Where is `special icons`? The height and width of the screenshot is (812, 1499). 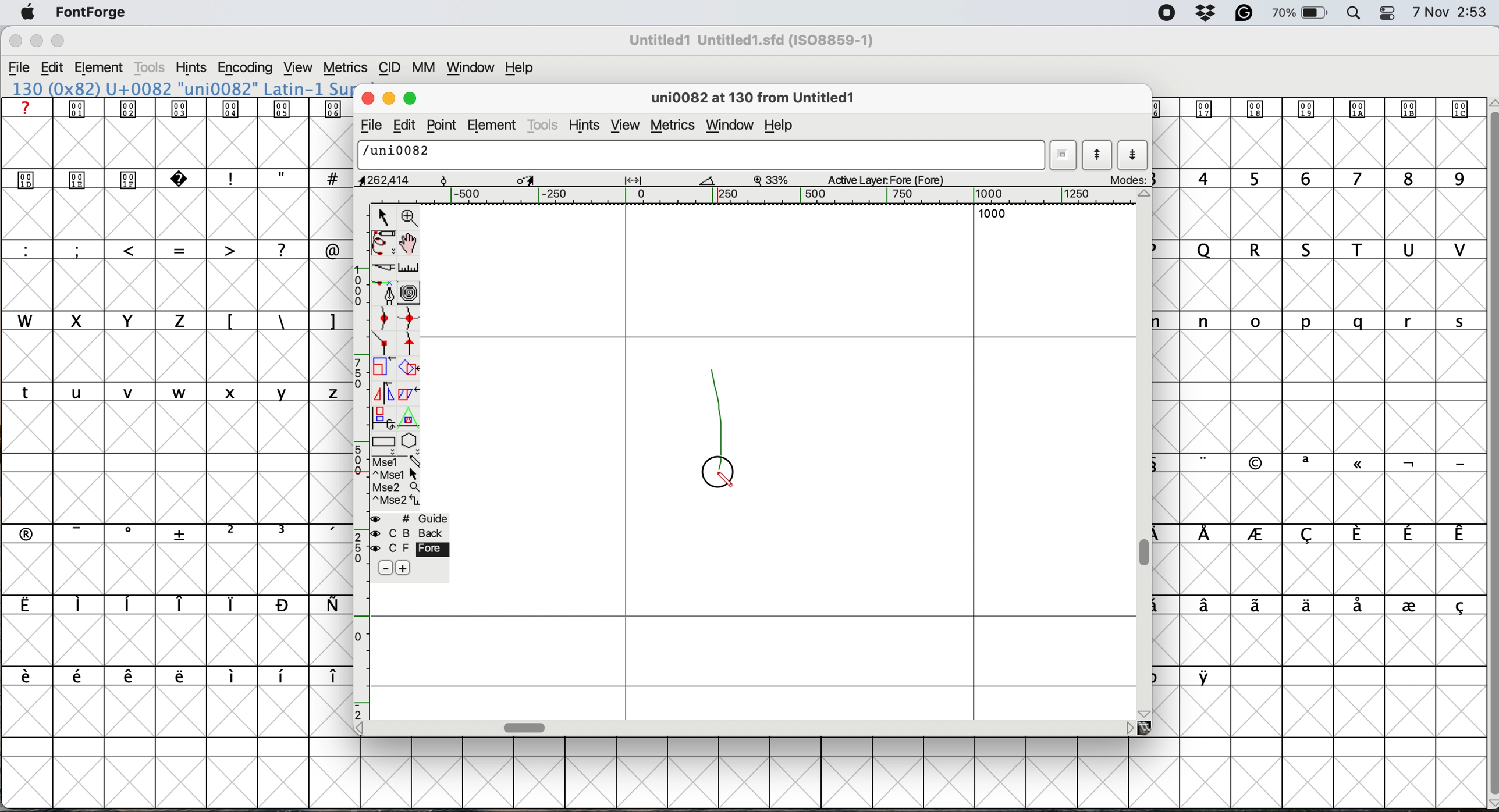
special icons is located at coordinates (106, 177).